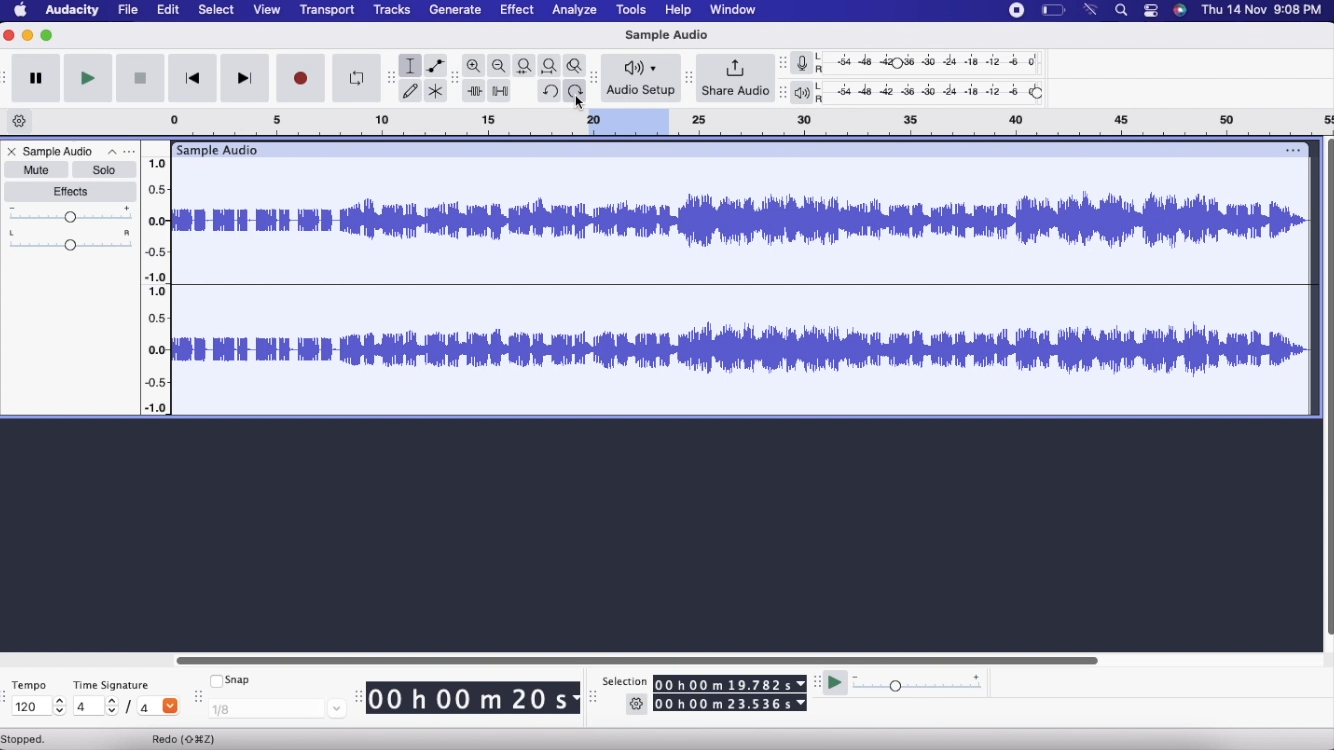 This screenshot has width=1334, height=750. Describe the element at coordinates (474, 66) in the screenshot. I see `Zoom In` at that location.